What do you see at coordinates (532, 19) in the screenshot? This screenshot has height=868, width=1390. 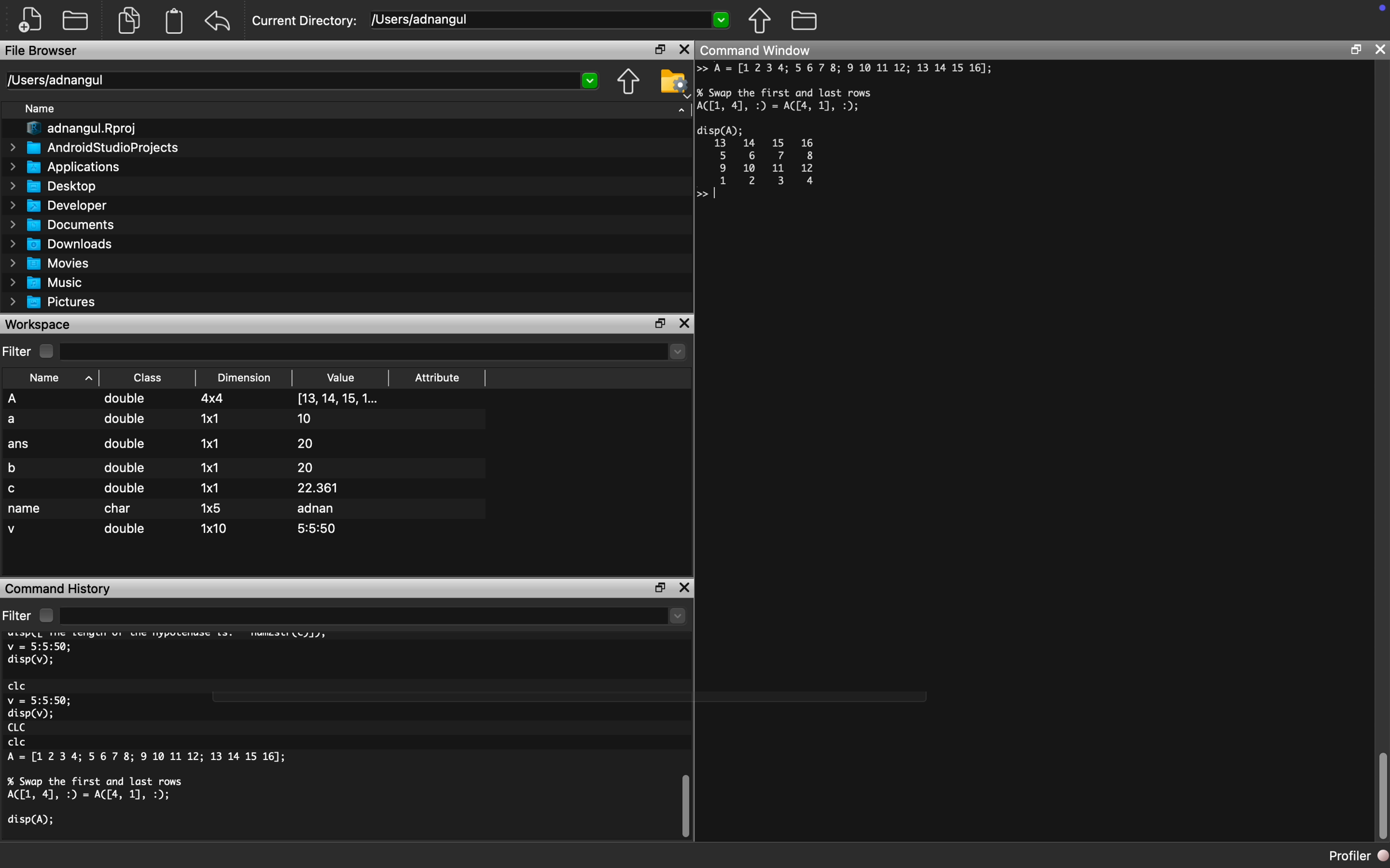 I see `/Users/adnangul` at bounding box center [532, 19].